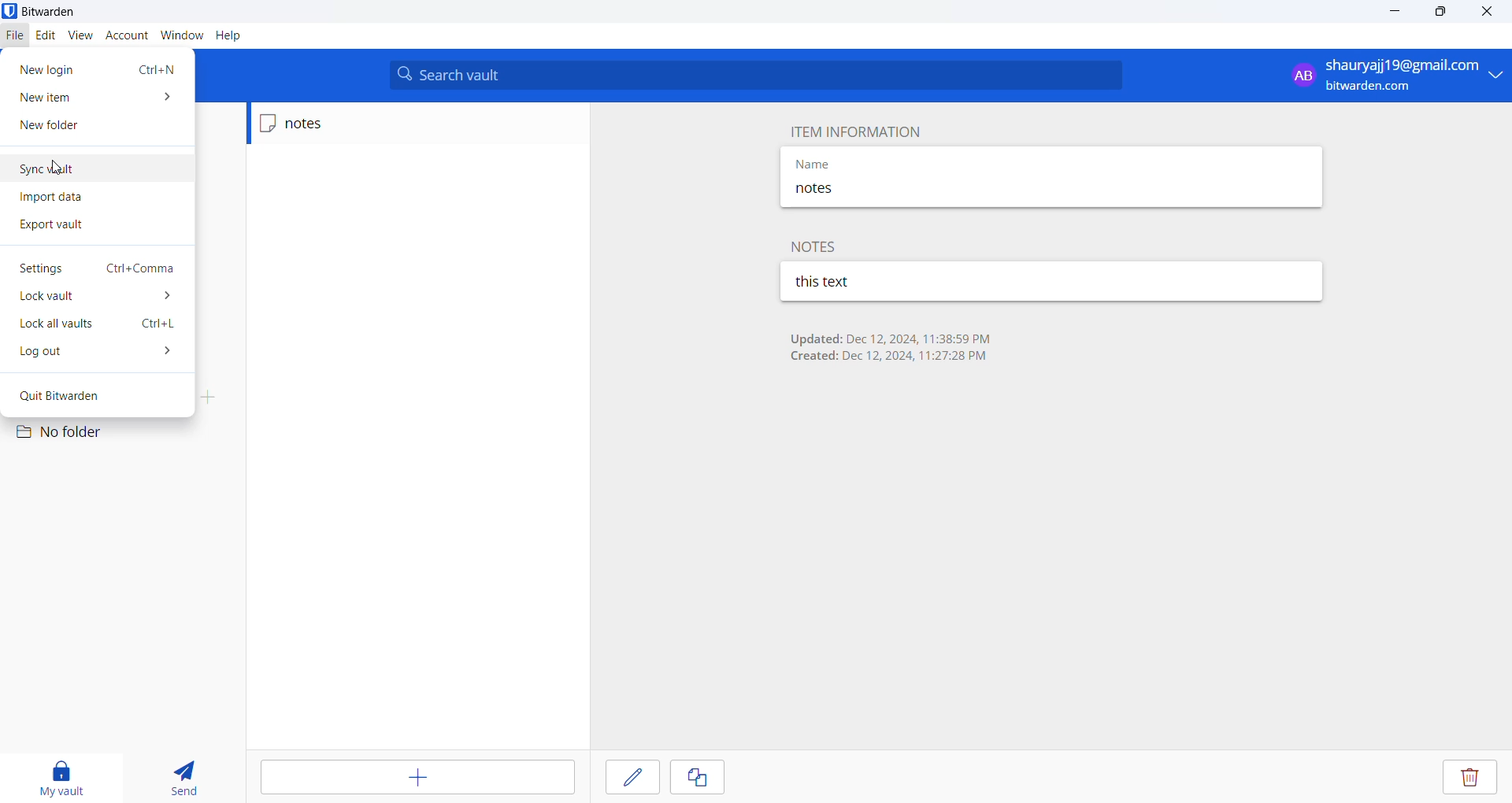 This screenshot has height=803, width=1512. Describe the element at coordinates (61, 168) in the screenshot. I see `cursor` at that location.